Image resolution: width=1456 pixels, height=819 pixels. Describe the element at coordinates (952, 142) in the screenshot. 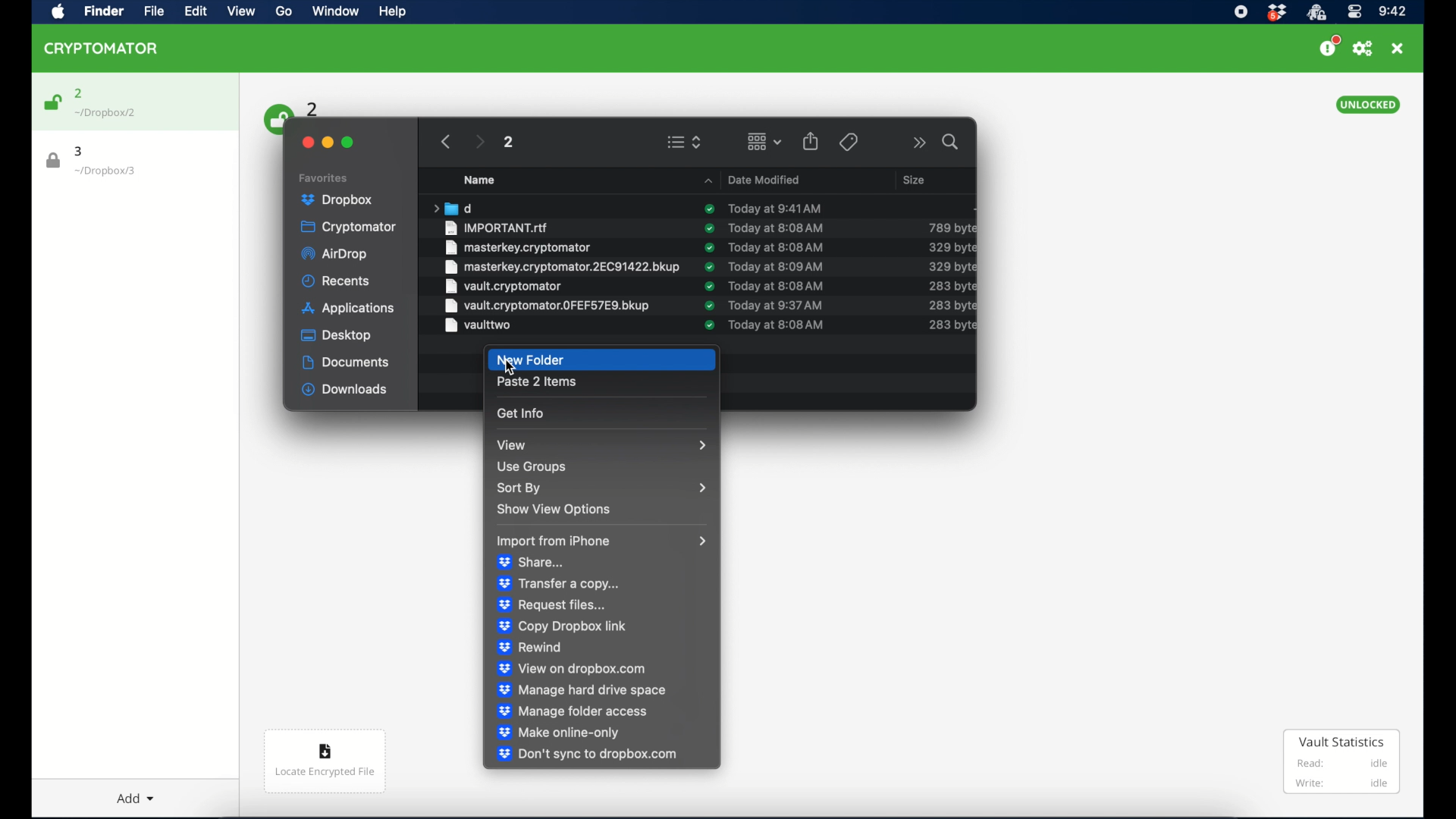

I see `search` at that location.